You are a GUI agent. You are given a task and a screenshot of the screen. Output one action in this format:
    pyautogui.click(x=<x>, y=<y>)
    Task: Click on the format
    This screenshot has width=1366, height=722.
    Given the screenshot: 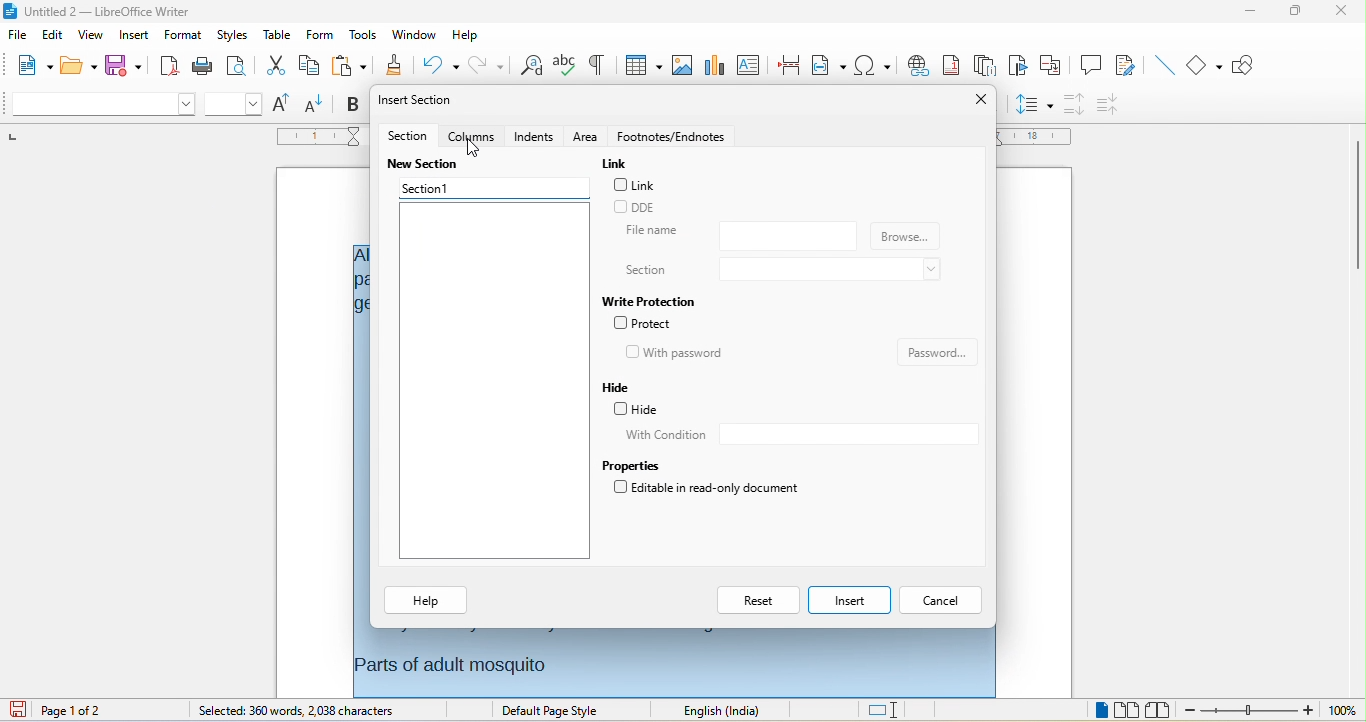 What is the action you would take?
    pyautogui.click(x=182, y=35)
    